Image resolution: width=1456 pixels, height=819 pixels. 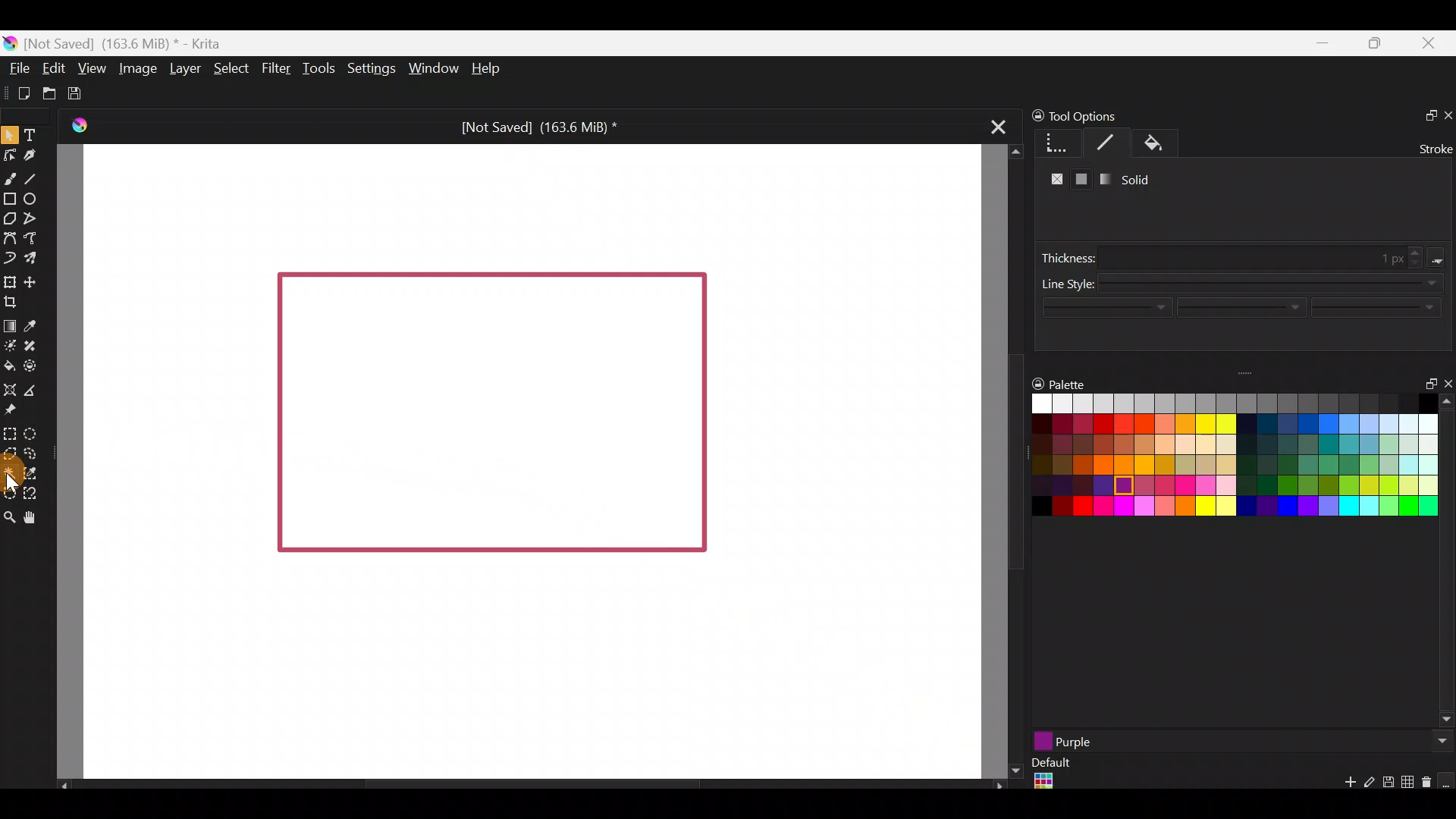 What do you see at coordinates (10, 388) in the screenshot?
I see `Assistant tool` at bounding box center [10, 388].